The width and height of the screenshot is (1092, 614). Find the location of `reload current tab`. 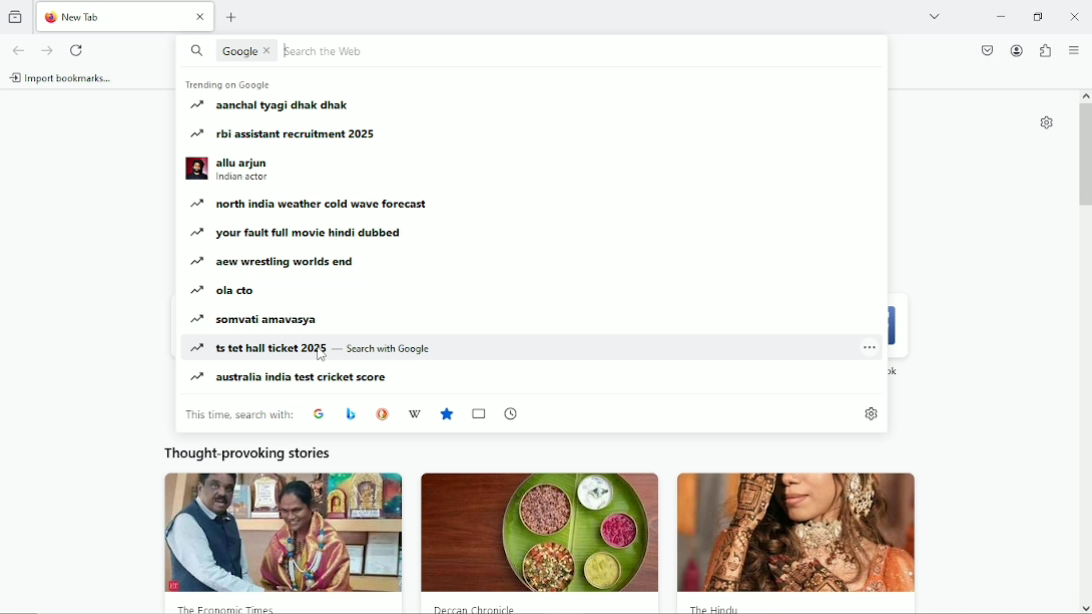

reload current tab is located at coordinates (76, 50).